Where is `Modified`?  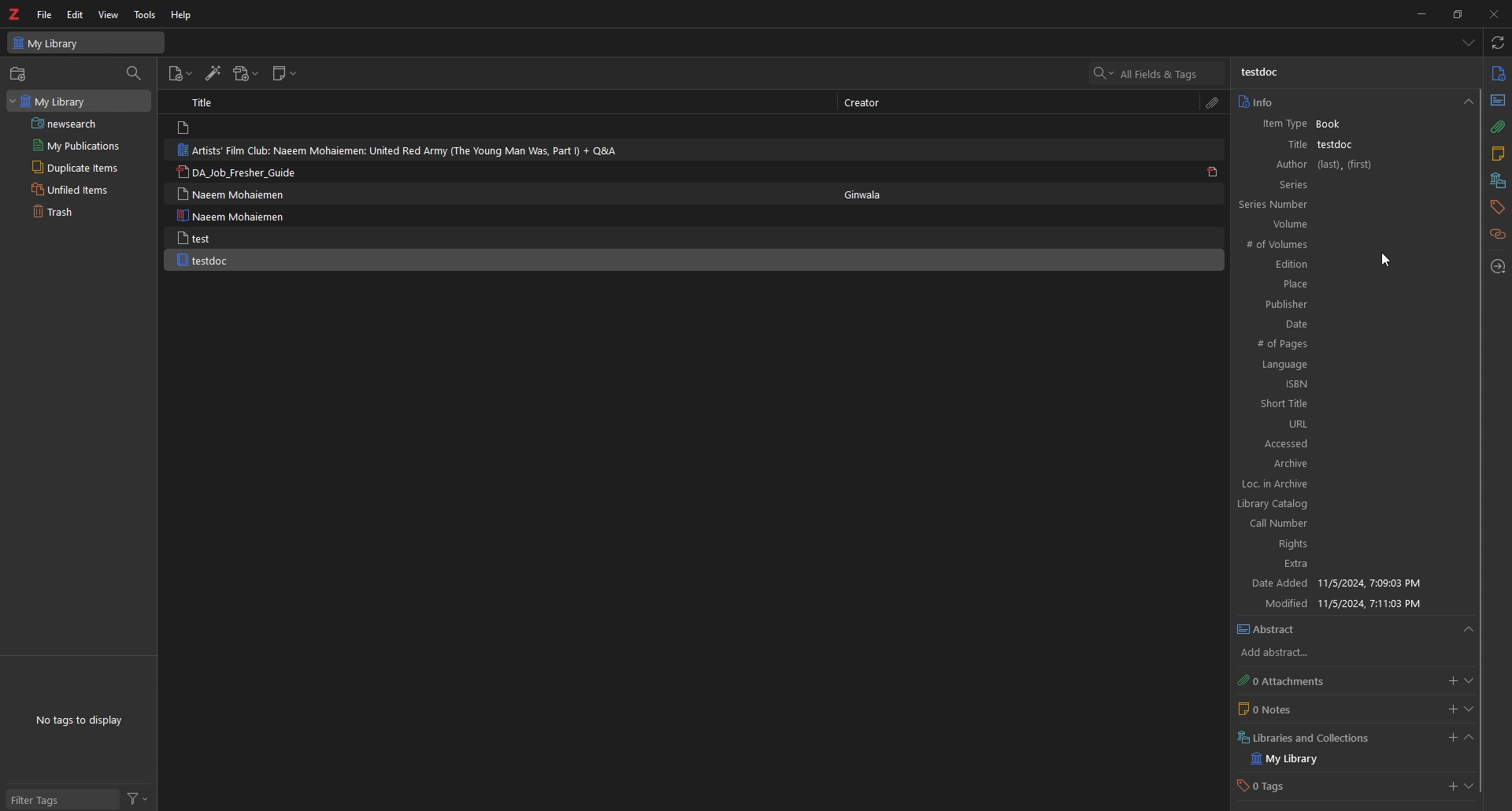
Modified is located at coordinates (1284, 604).